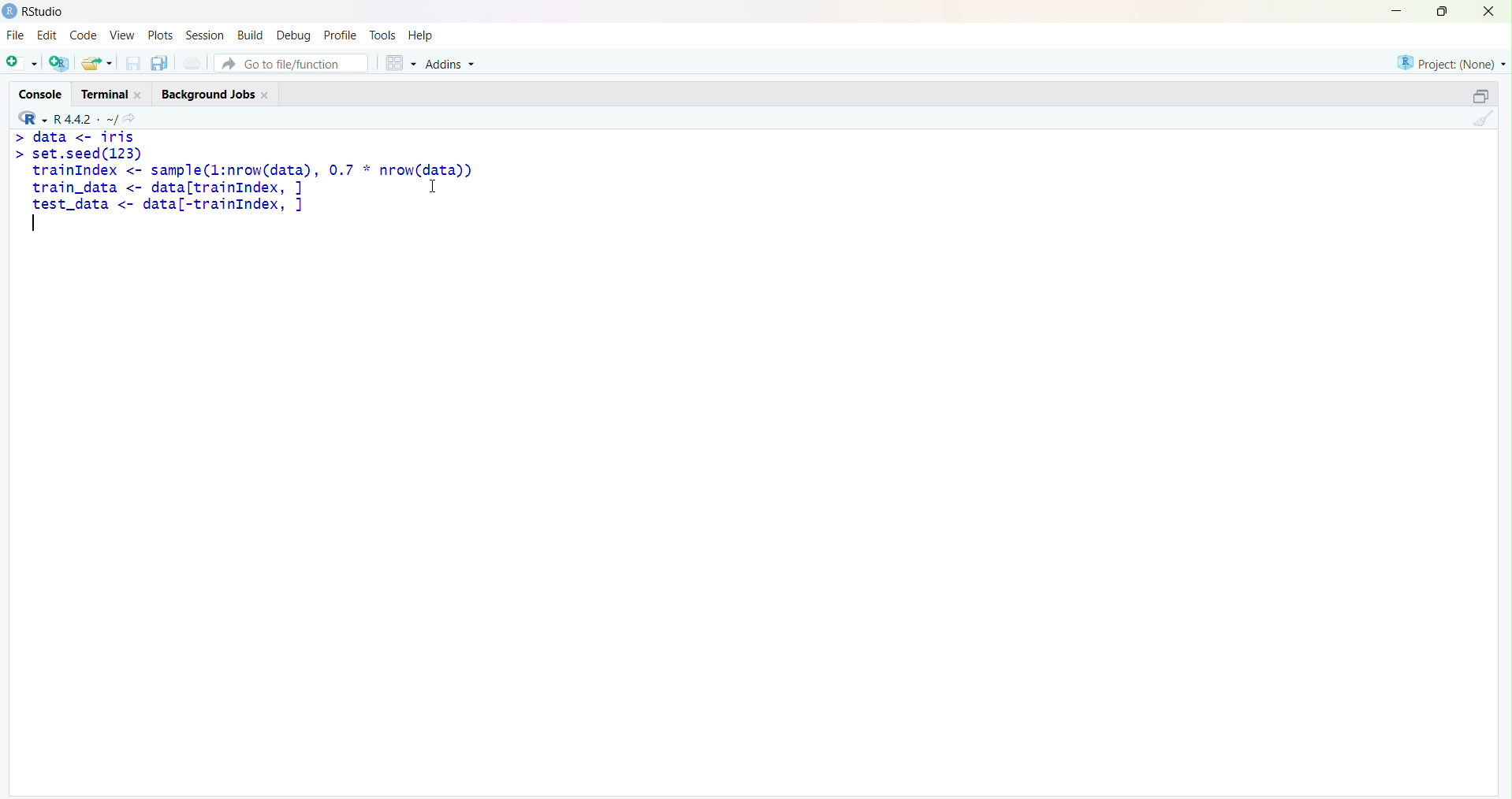 This screenshot has height=799, width=1512. I want to click on Edit, so click(47, 33).